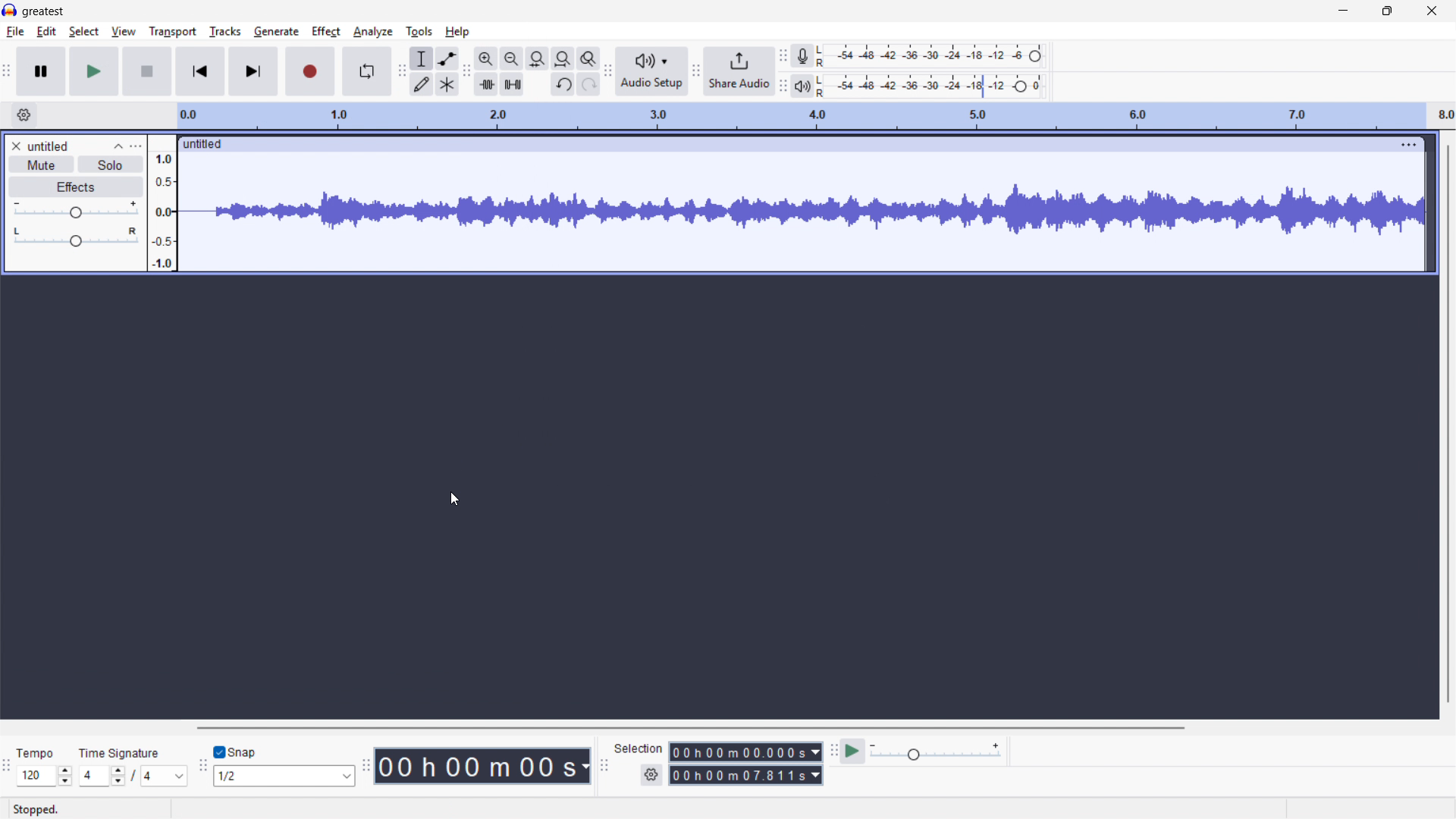  What do you see at coordinates (485, 59) in the screenshot?
I see `zoom in` at bounding box center [485, 59].